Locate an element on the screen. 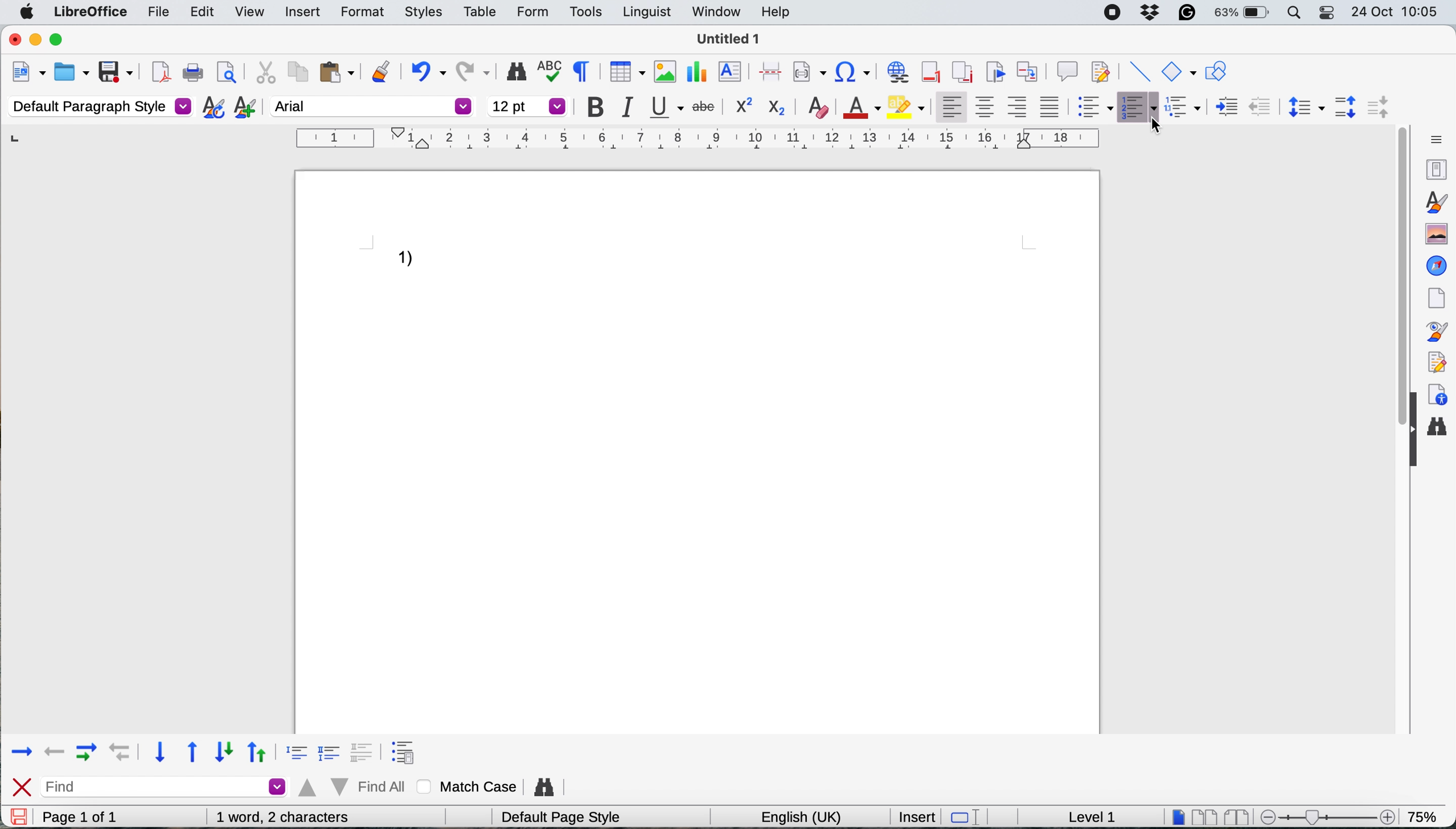 The height and width of the screenshot is (829, 1456). screen recorder is located at coordinates (1114, 13).